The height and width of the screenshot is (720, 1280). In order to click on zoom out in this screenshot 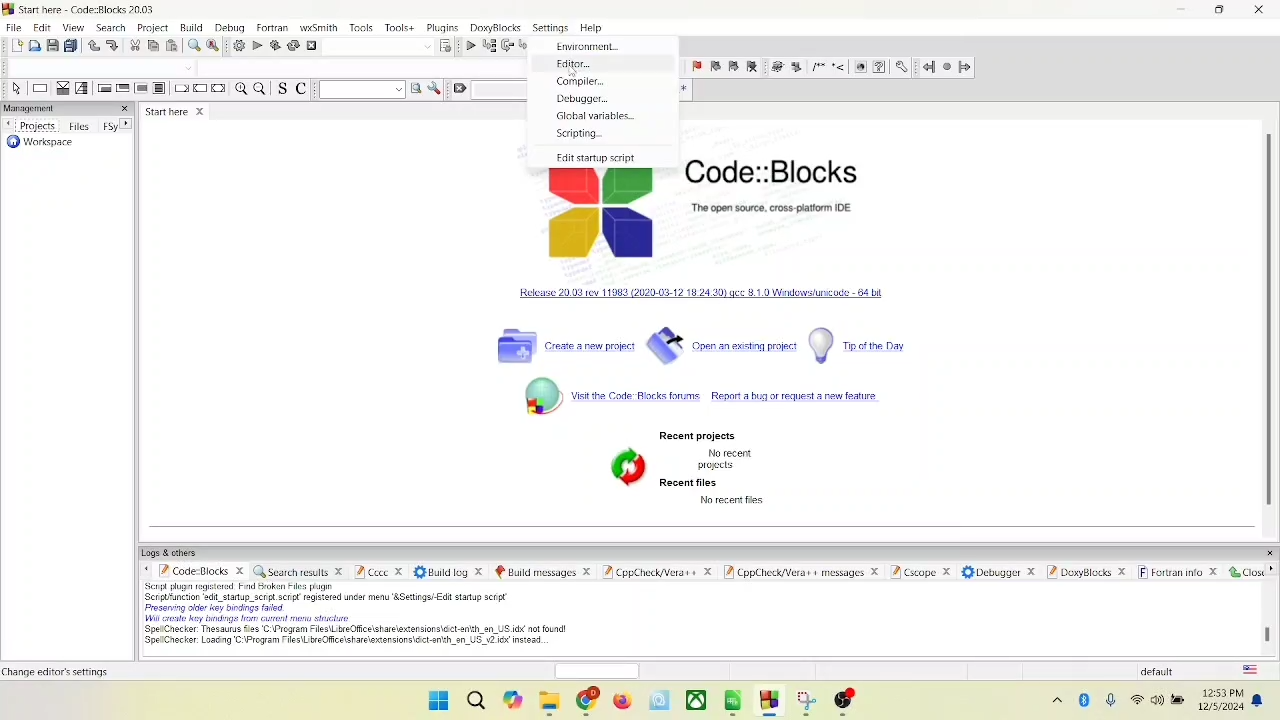, I will do `click(259, 88)`.